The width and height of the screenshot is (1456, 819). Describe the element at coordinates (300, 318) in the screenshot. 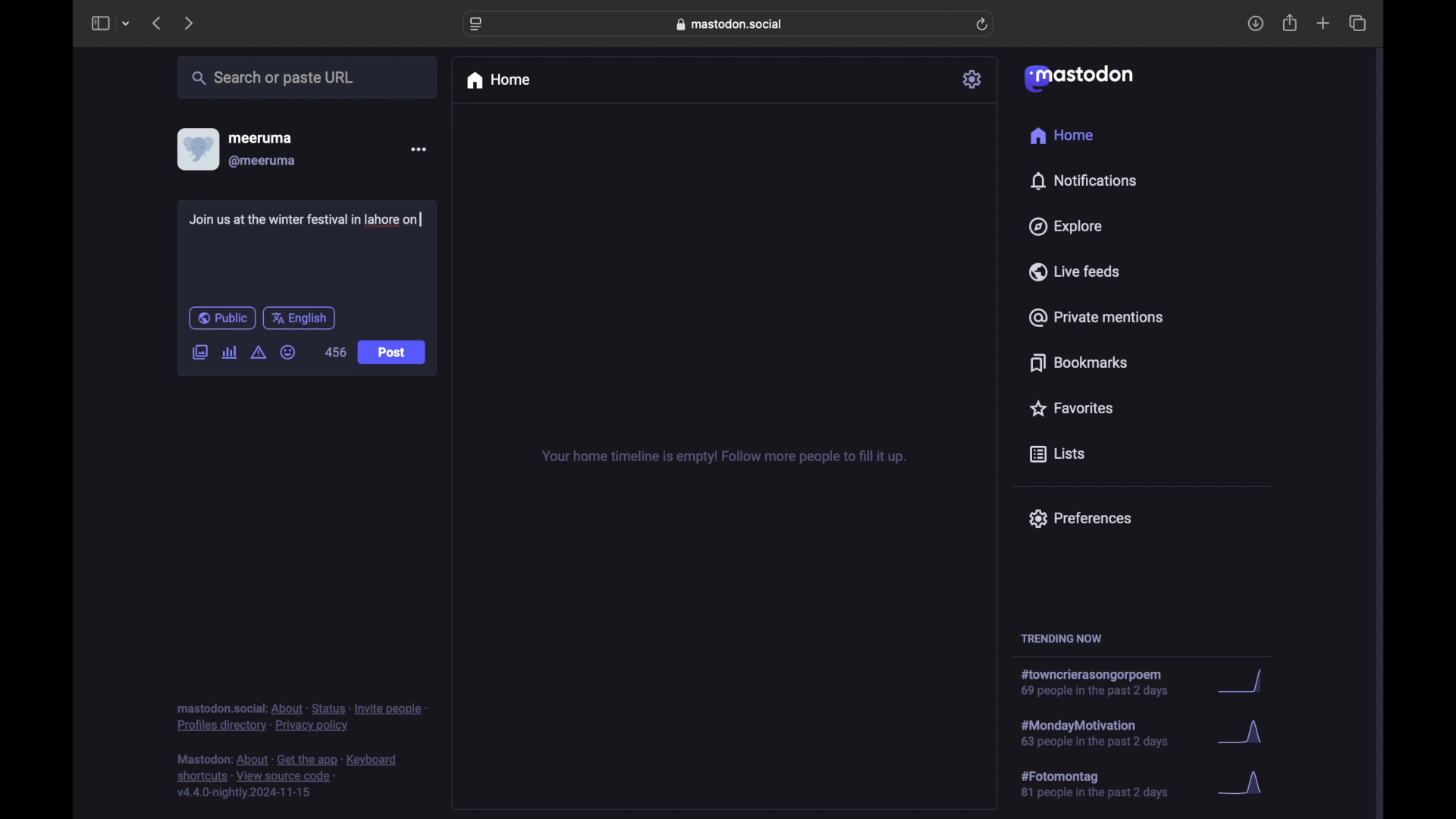

I see `english` at that location.